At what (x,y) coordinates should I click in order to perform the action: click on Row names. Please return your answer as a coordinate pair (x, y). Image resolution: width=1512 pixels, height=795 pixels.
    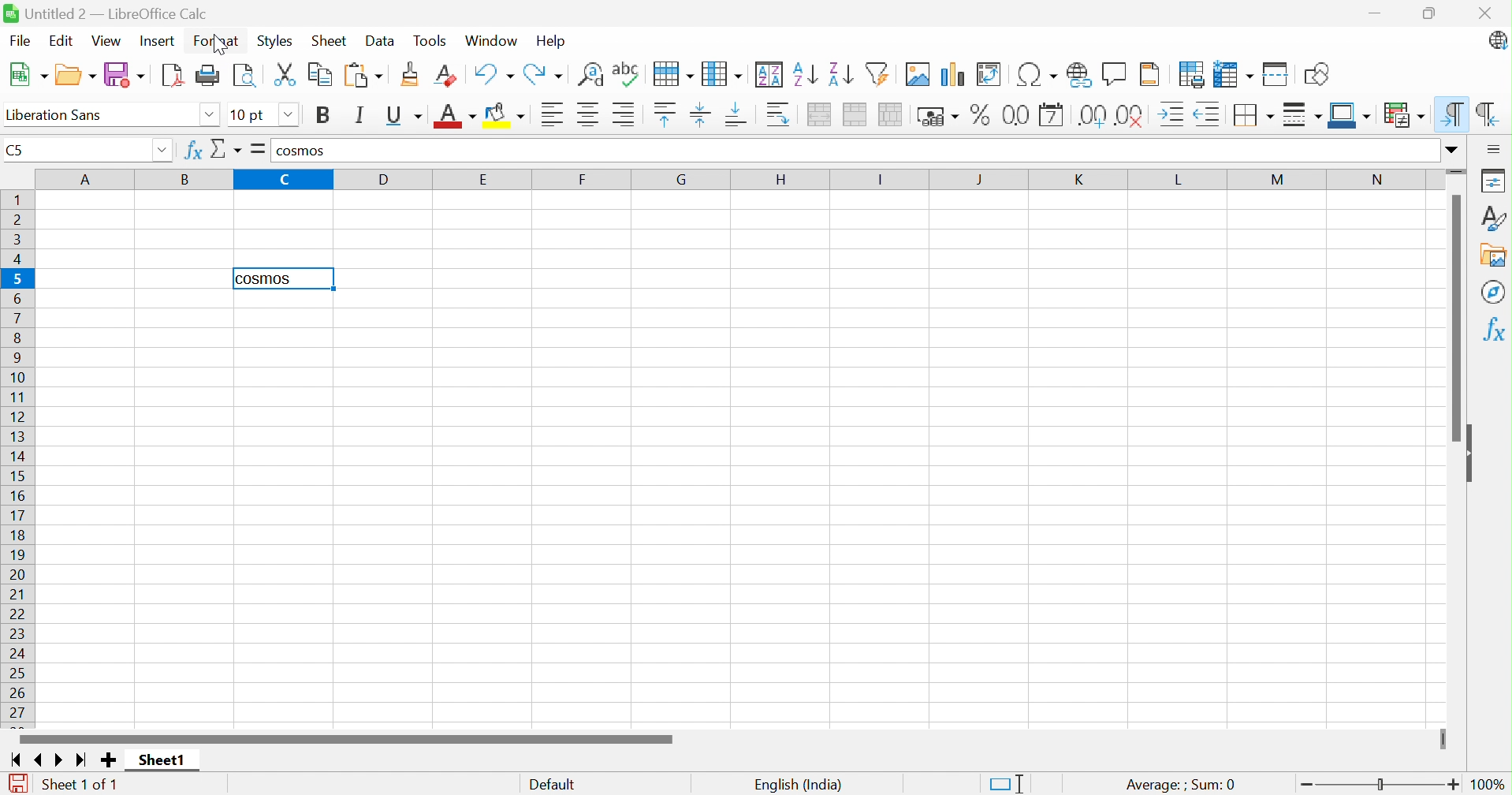
    Looking at the image, I should click on (17, 461).